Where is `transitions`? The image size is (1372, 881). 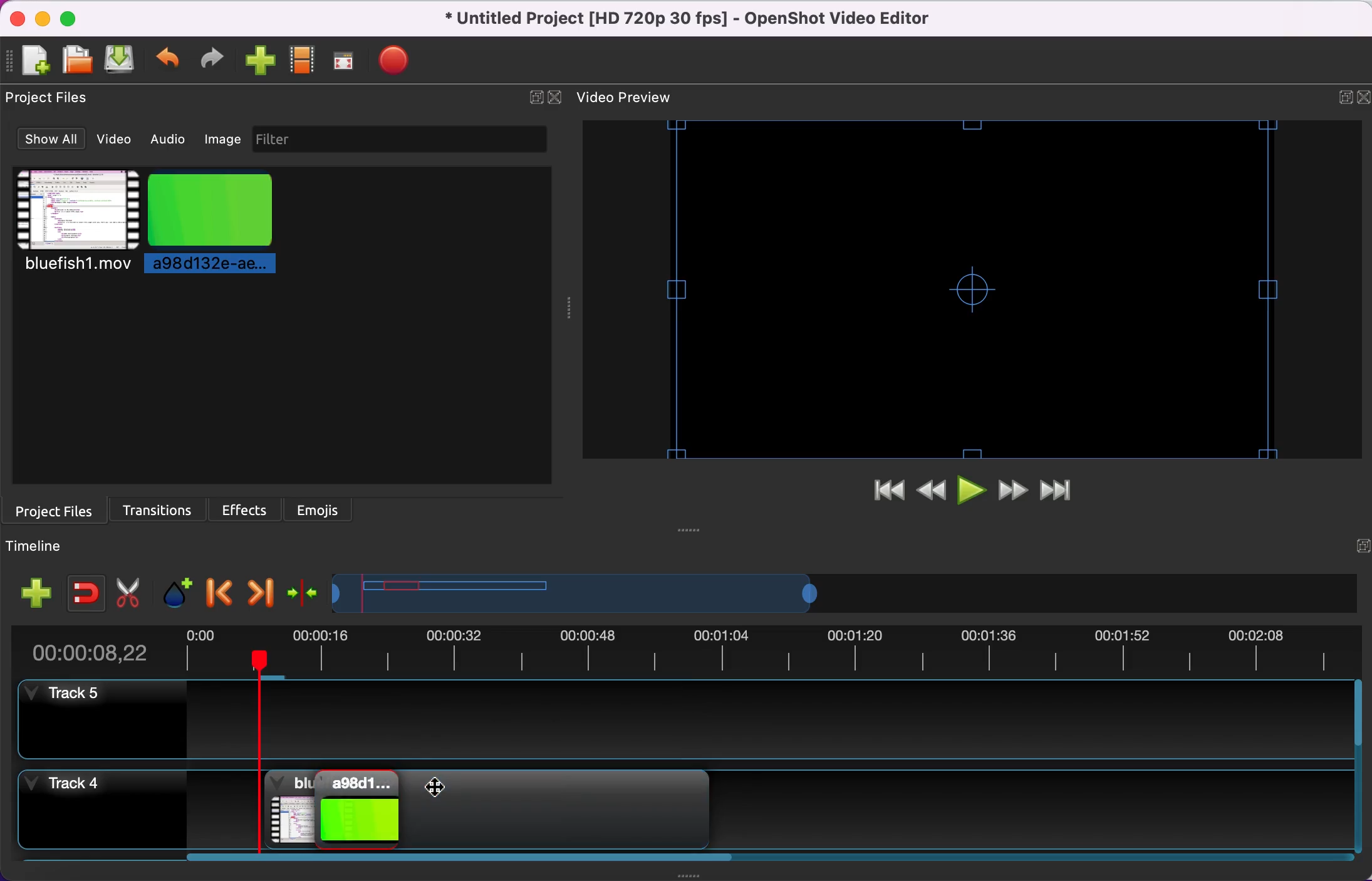 transitions is located at coordinates (159, 510).